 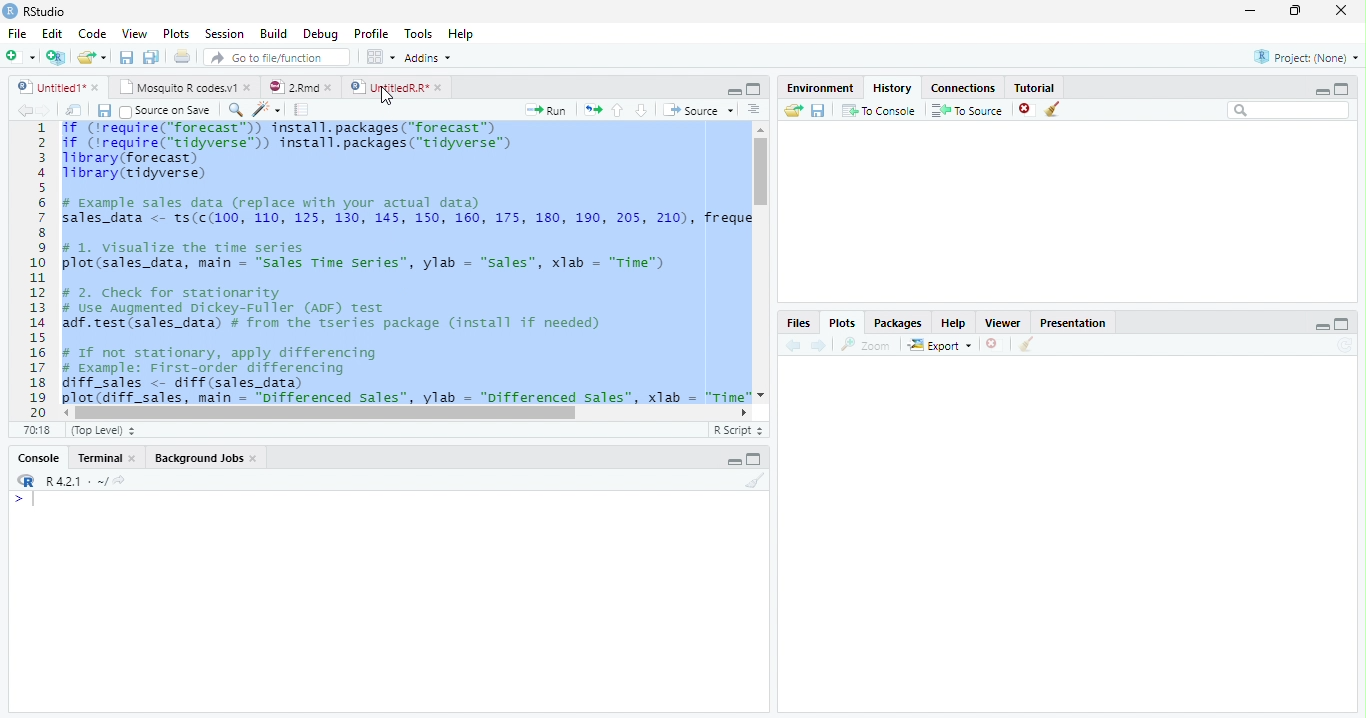 What do you see at coordinates (793, 111) in the screenshot?
I see `Open Folder` at bounding box center [793, 111].